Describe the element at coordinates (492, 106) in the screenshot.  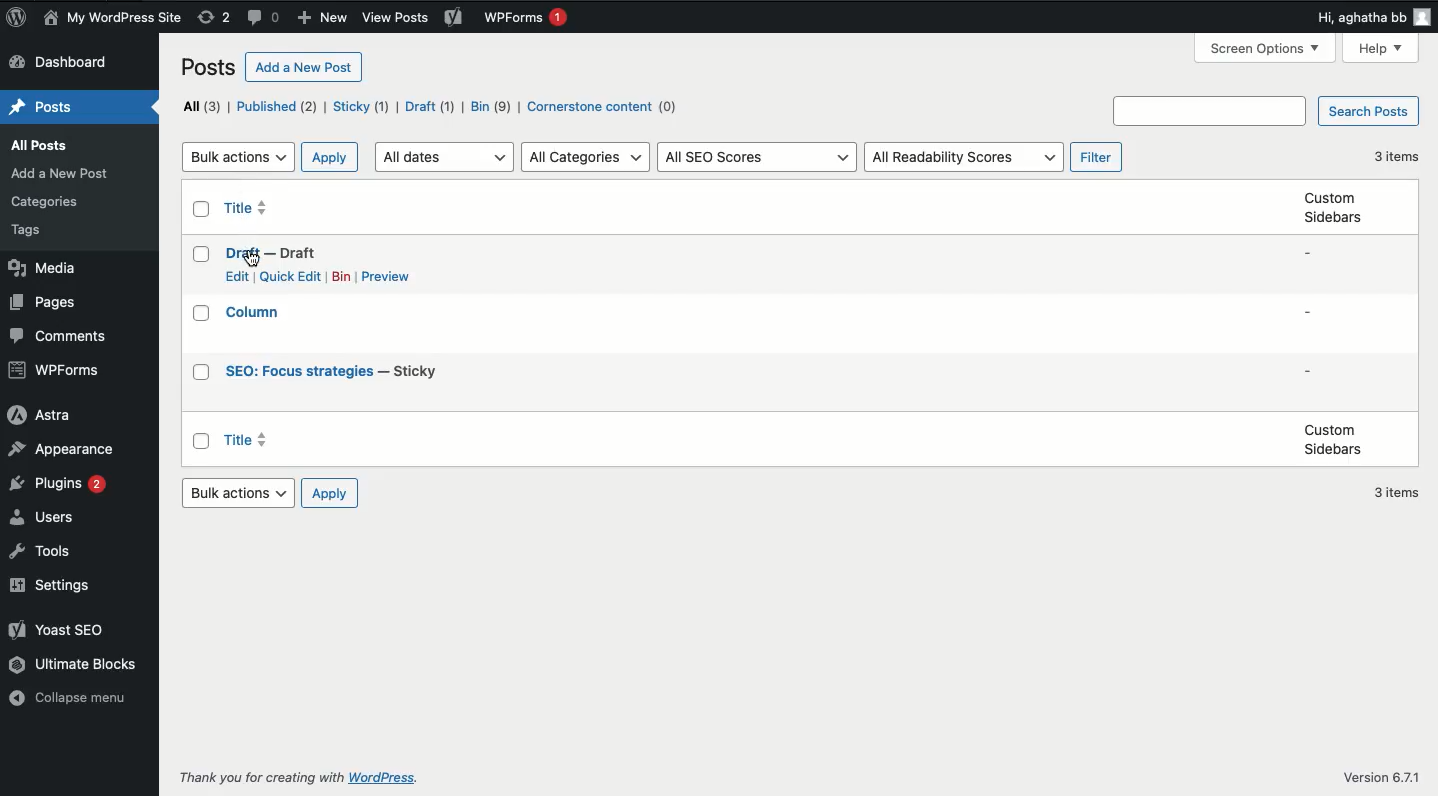
I see `Bin` at that location.